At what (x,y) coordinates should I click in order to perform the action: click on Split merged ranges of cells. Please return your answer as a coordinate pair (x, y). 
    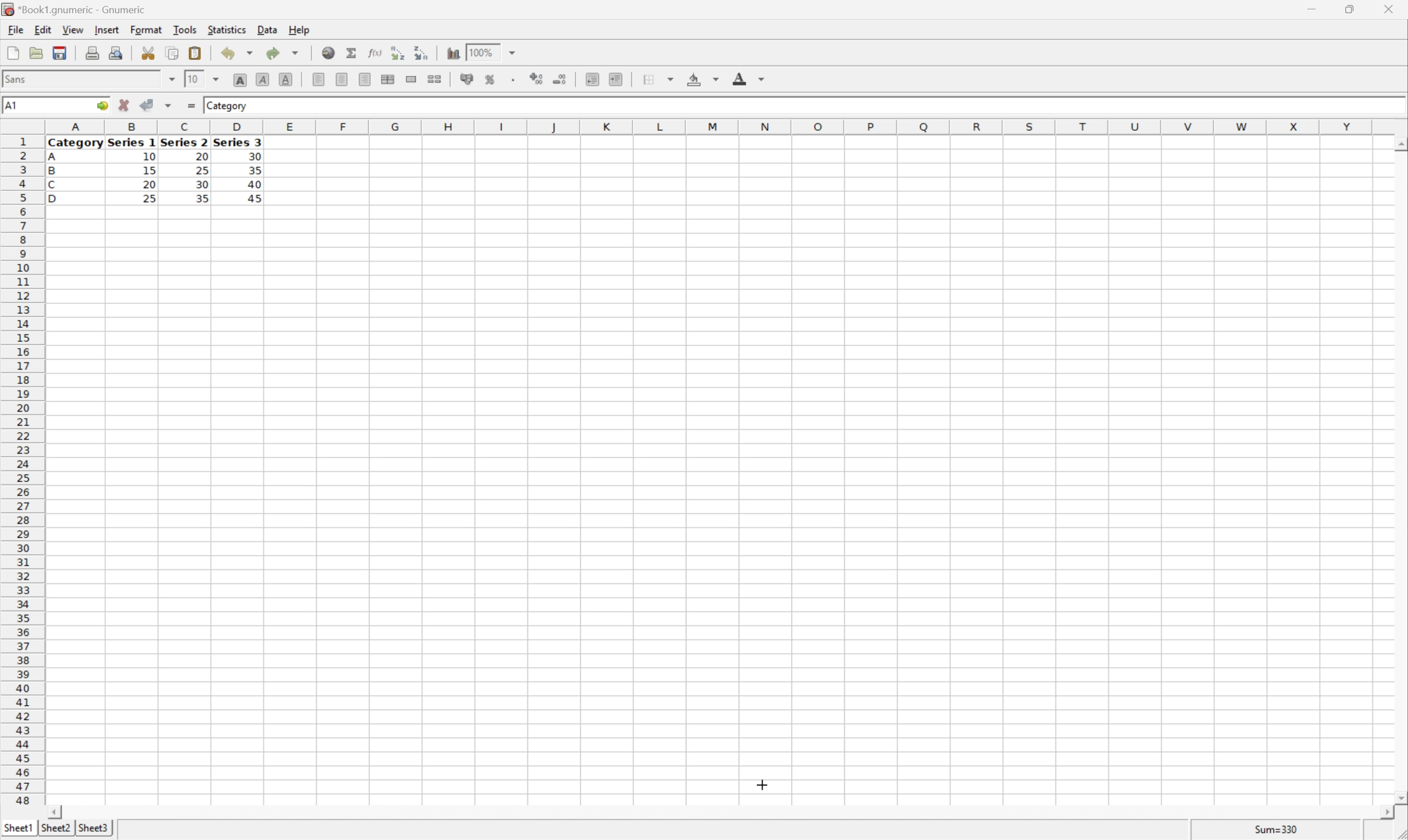
    Looking at the image, I should click on (434, 80).